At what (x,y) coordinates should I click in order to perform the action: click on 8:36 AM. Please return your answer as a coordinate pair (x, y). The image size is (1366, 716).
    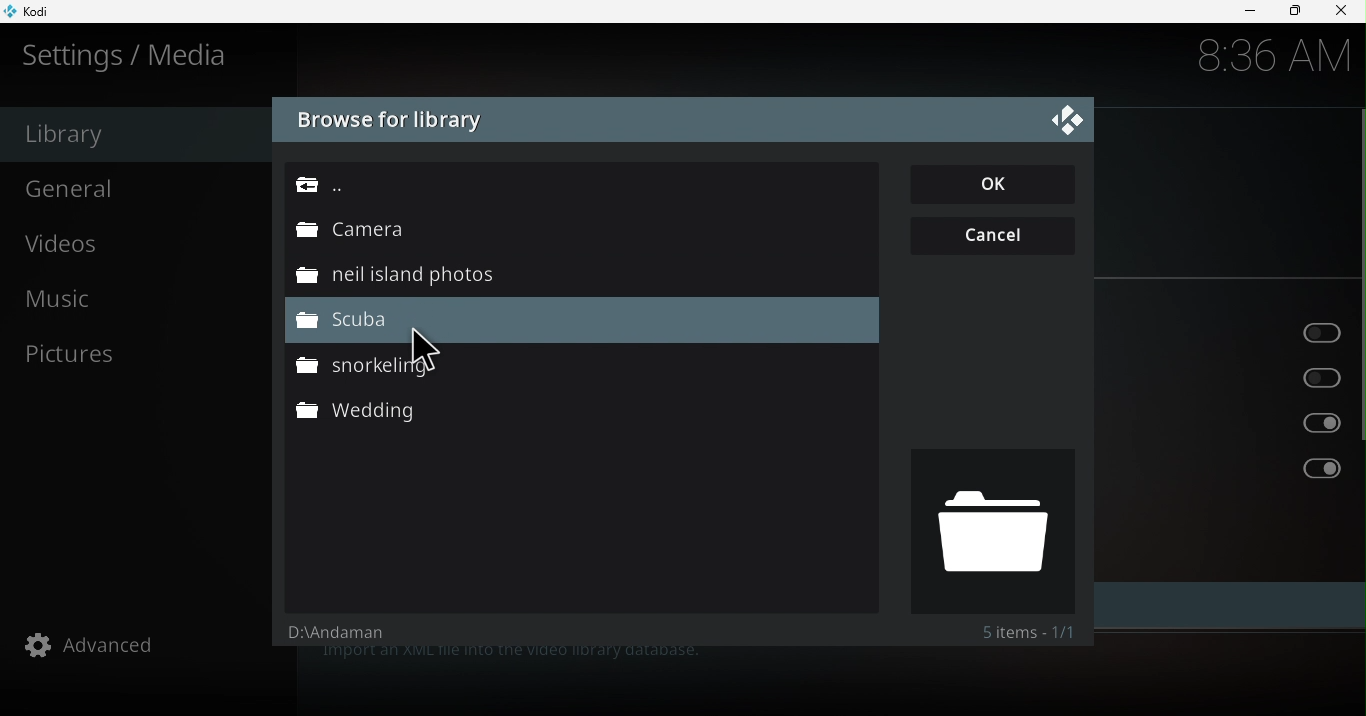
    Looking at the image, I should click on (1265, 59).